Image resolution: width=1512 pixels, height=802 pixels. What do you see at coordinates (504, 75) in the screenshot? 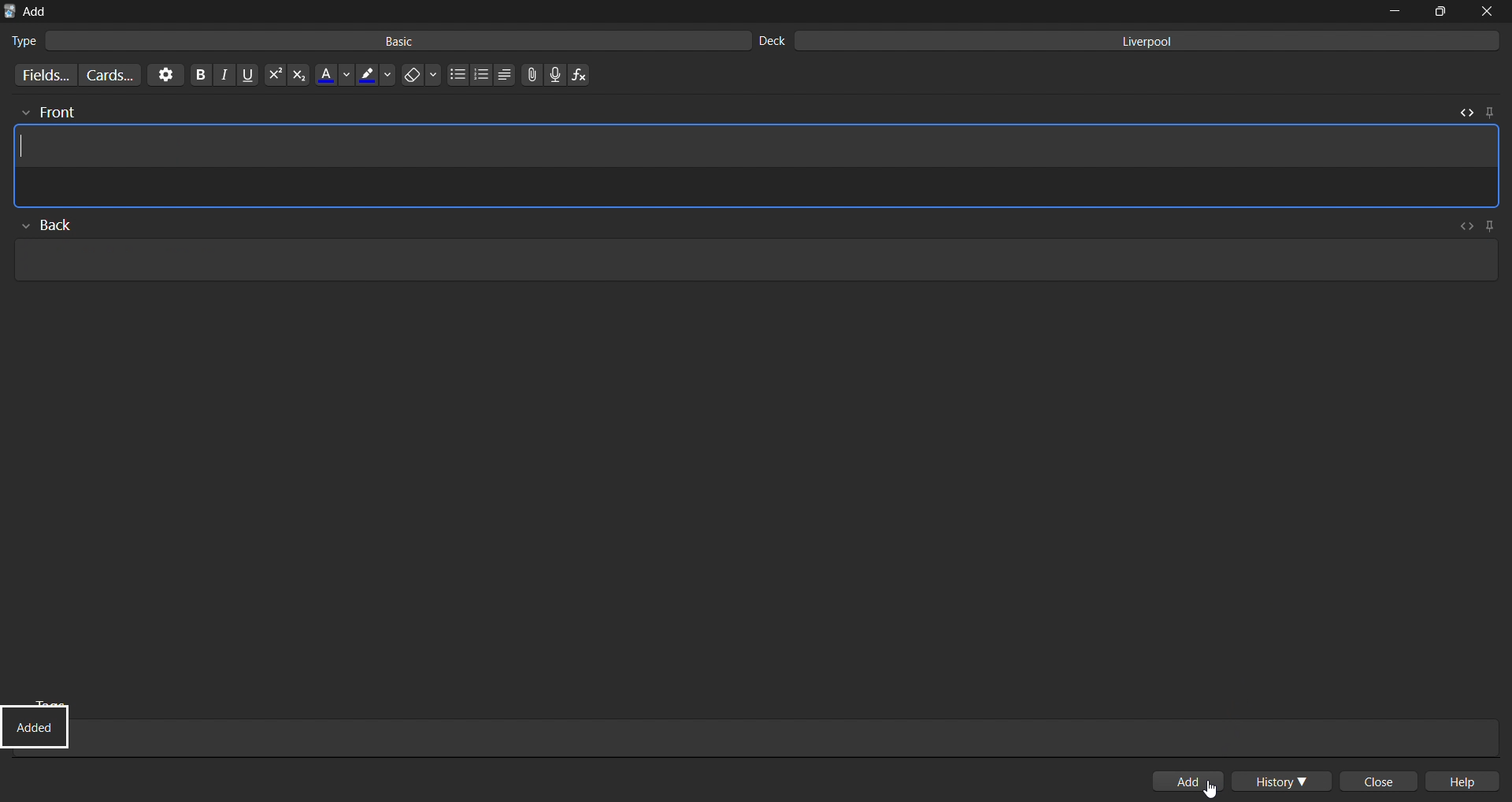
I see `line spacing` at bounding box center [504, 75].